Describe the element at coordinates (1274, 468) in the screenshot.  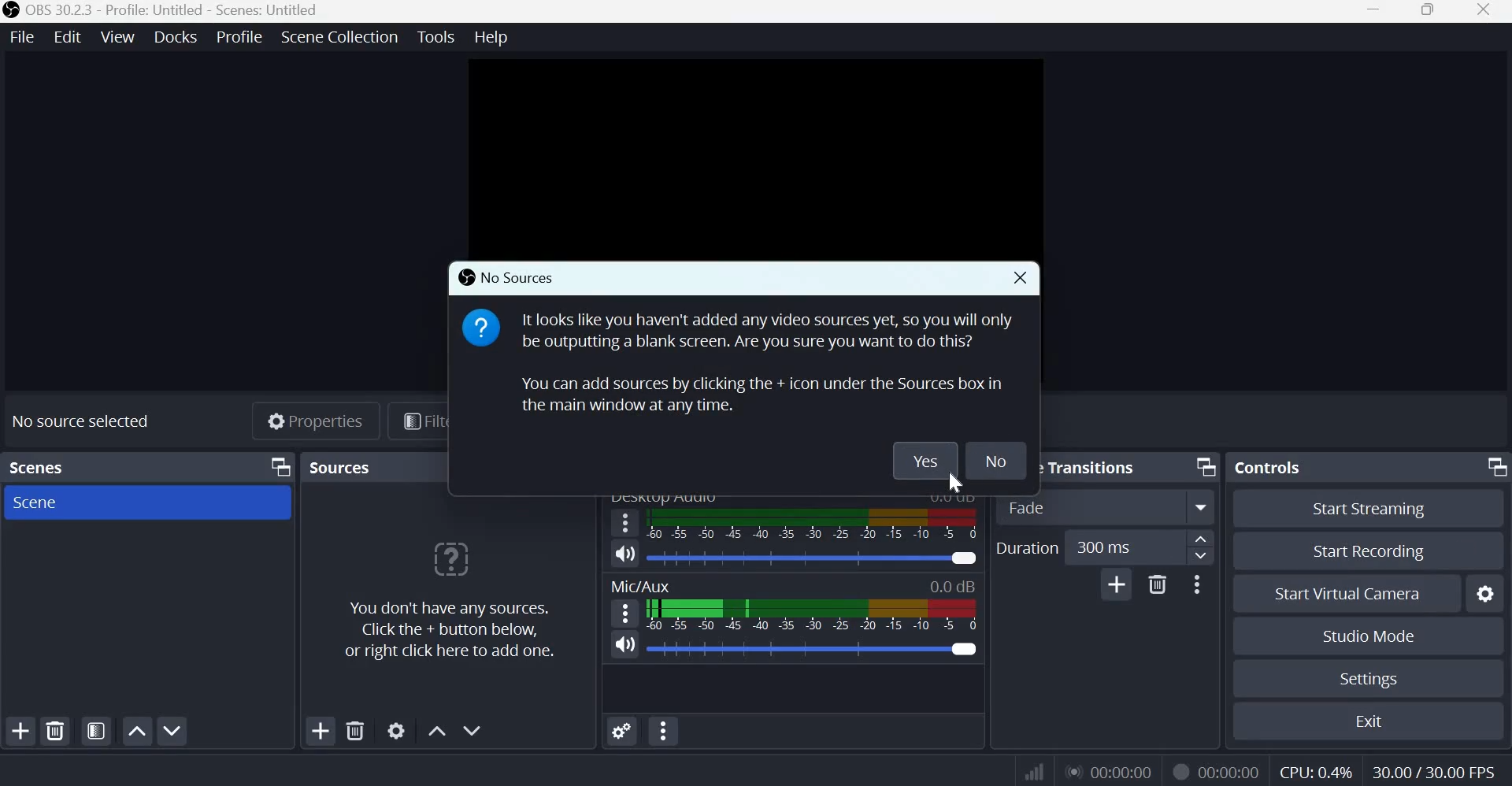
I see `Controls` at that location.